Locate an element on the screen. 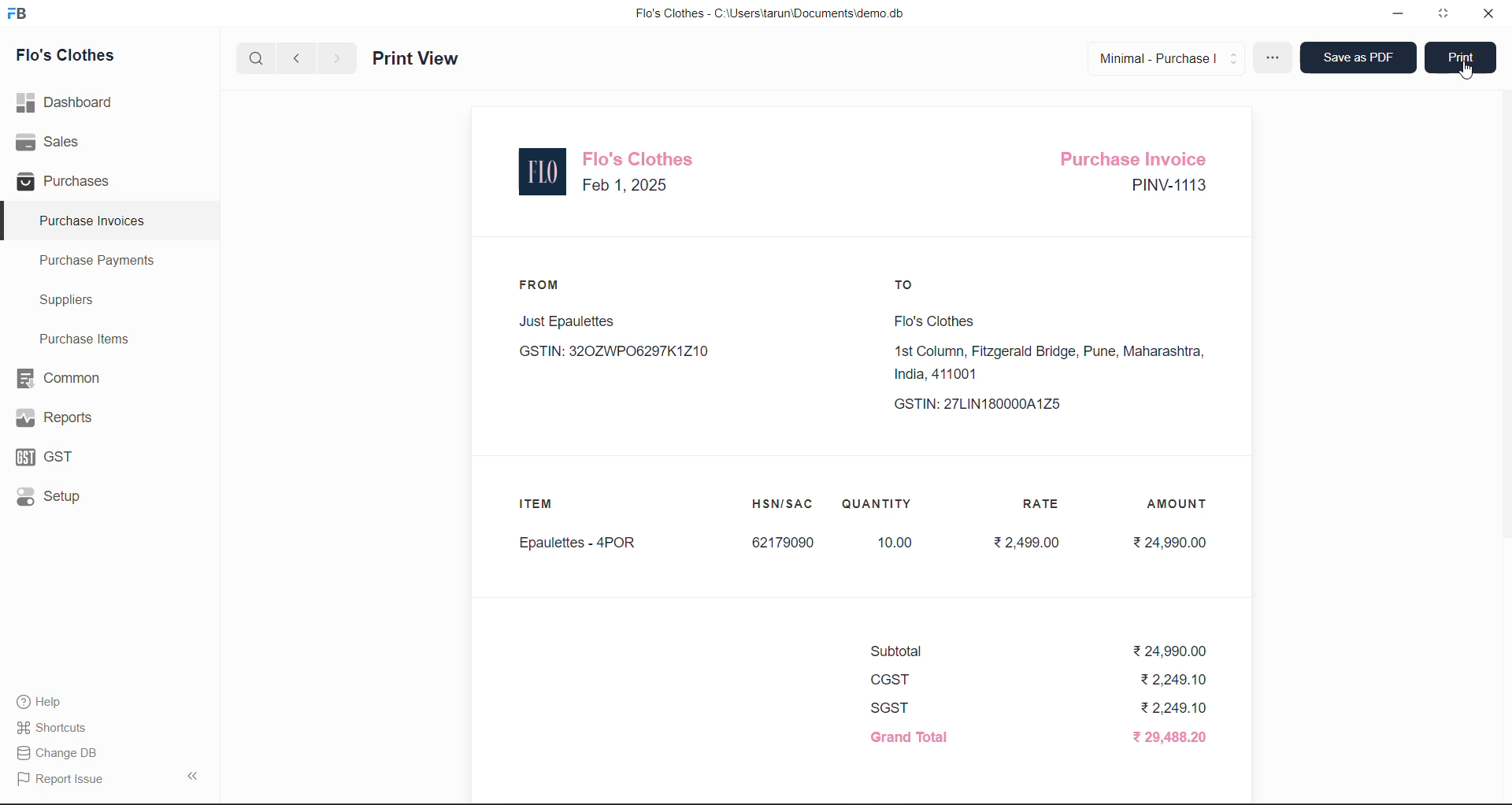 The height and width of the screenshot is (805, 1512). Save as PDF is located at coordinates (1359, 57).